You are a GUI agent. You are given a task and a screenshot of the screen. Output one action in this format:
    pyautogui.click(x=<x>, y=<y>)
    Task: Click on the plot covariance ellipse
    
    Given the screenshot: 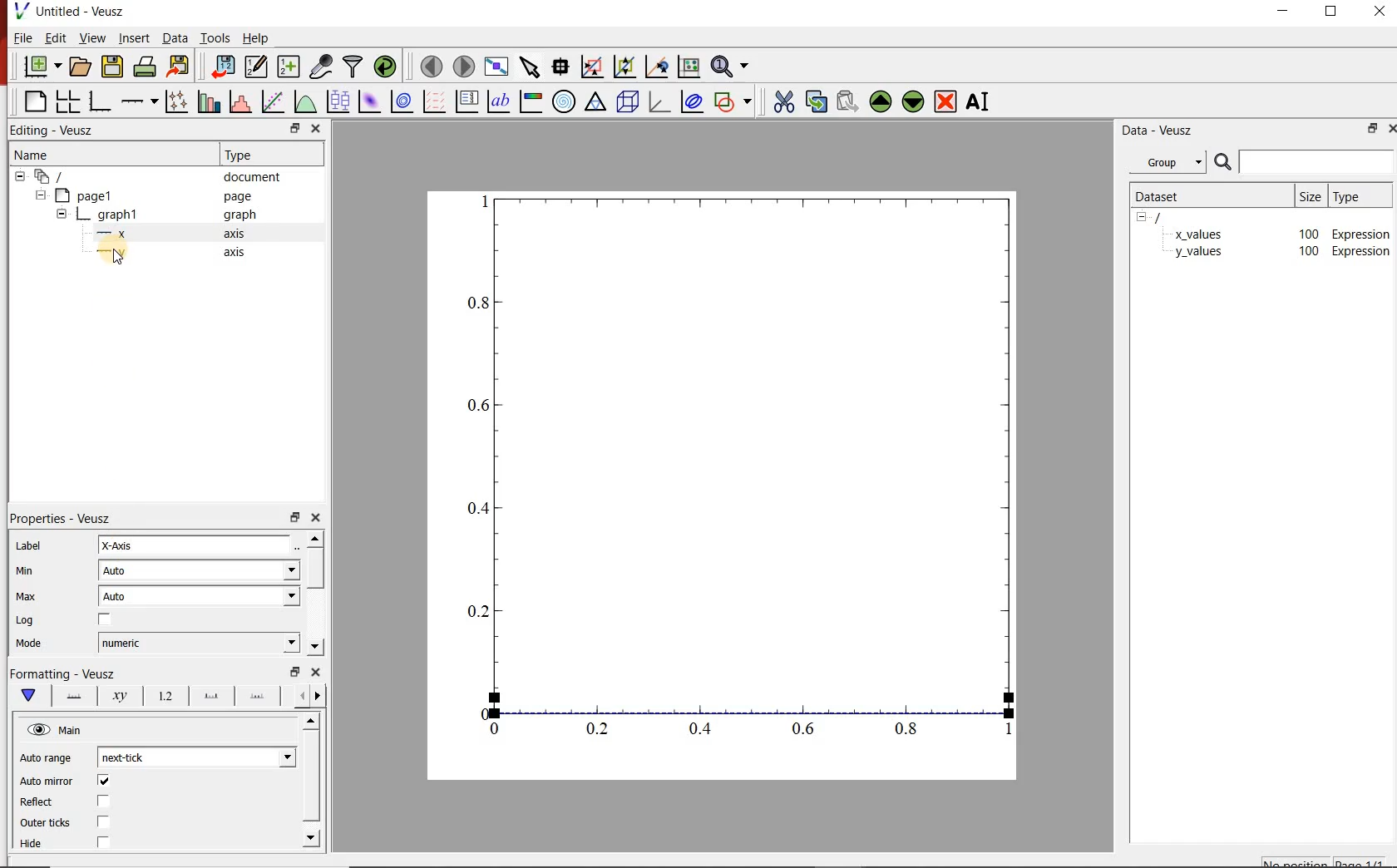 What is the action you would take?
    pyautogui.click(x=690, y=101)
    